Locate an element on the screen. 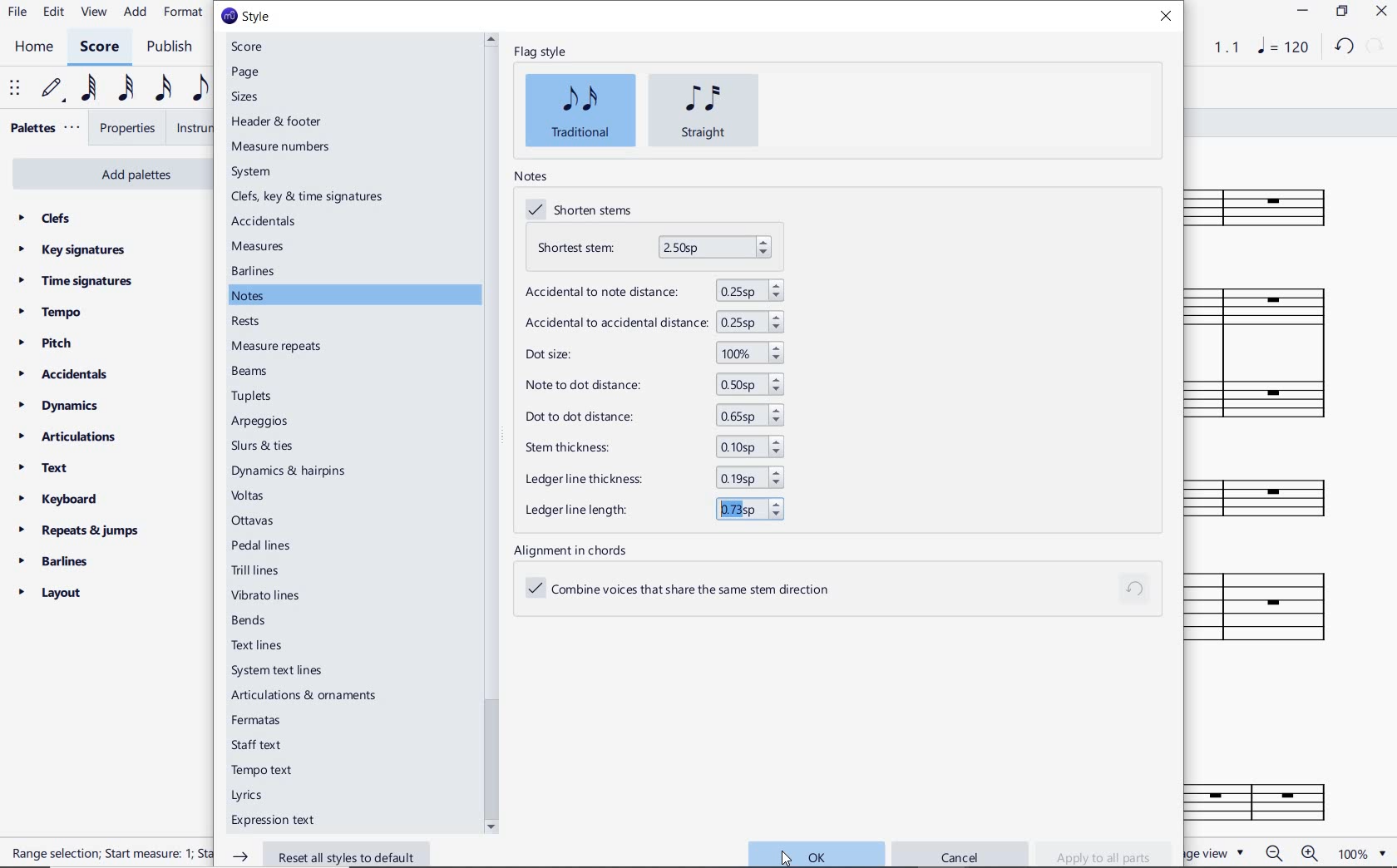 The width and height of the screenshot is (1397, 868). FL is located at coordinates (1273, 794).